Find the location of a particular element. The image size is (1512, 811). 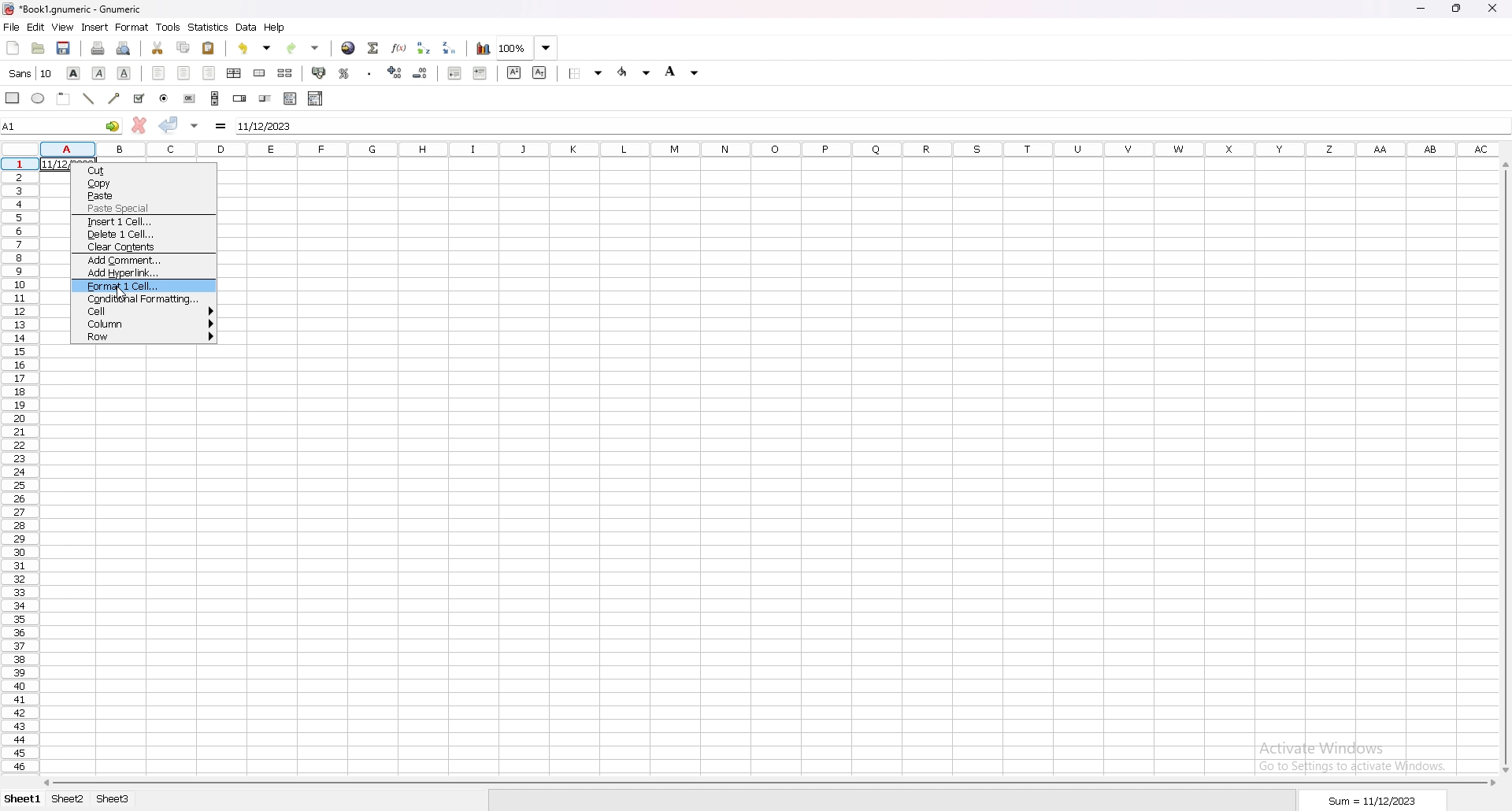

function is located at coordinates (399, 48).